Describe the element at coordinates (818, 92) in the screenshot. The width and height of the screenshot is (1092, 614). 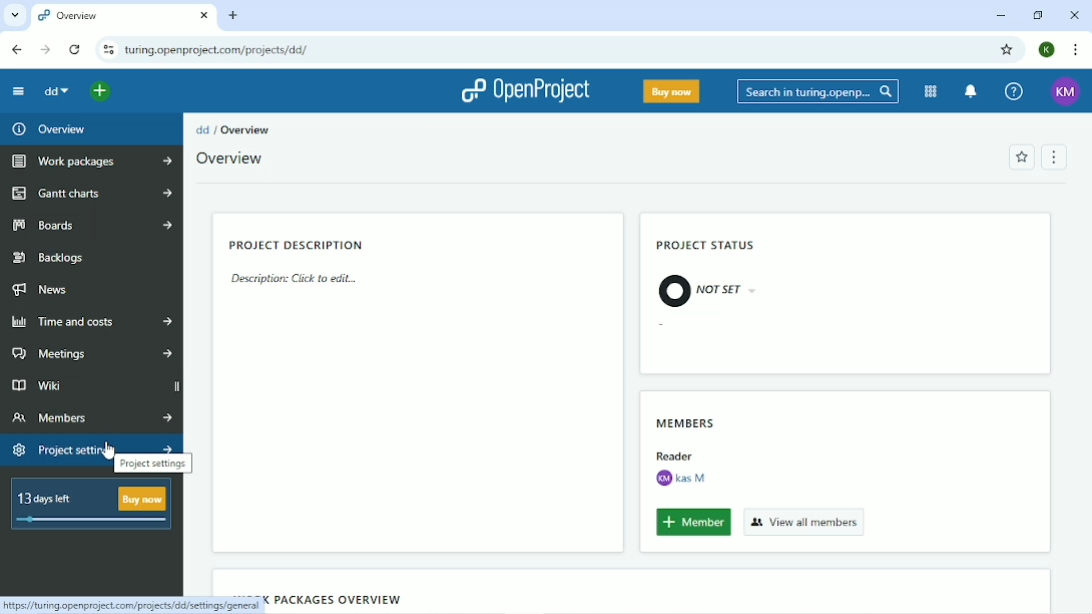
I see `Search in turing.openprojects.com` at that location.